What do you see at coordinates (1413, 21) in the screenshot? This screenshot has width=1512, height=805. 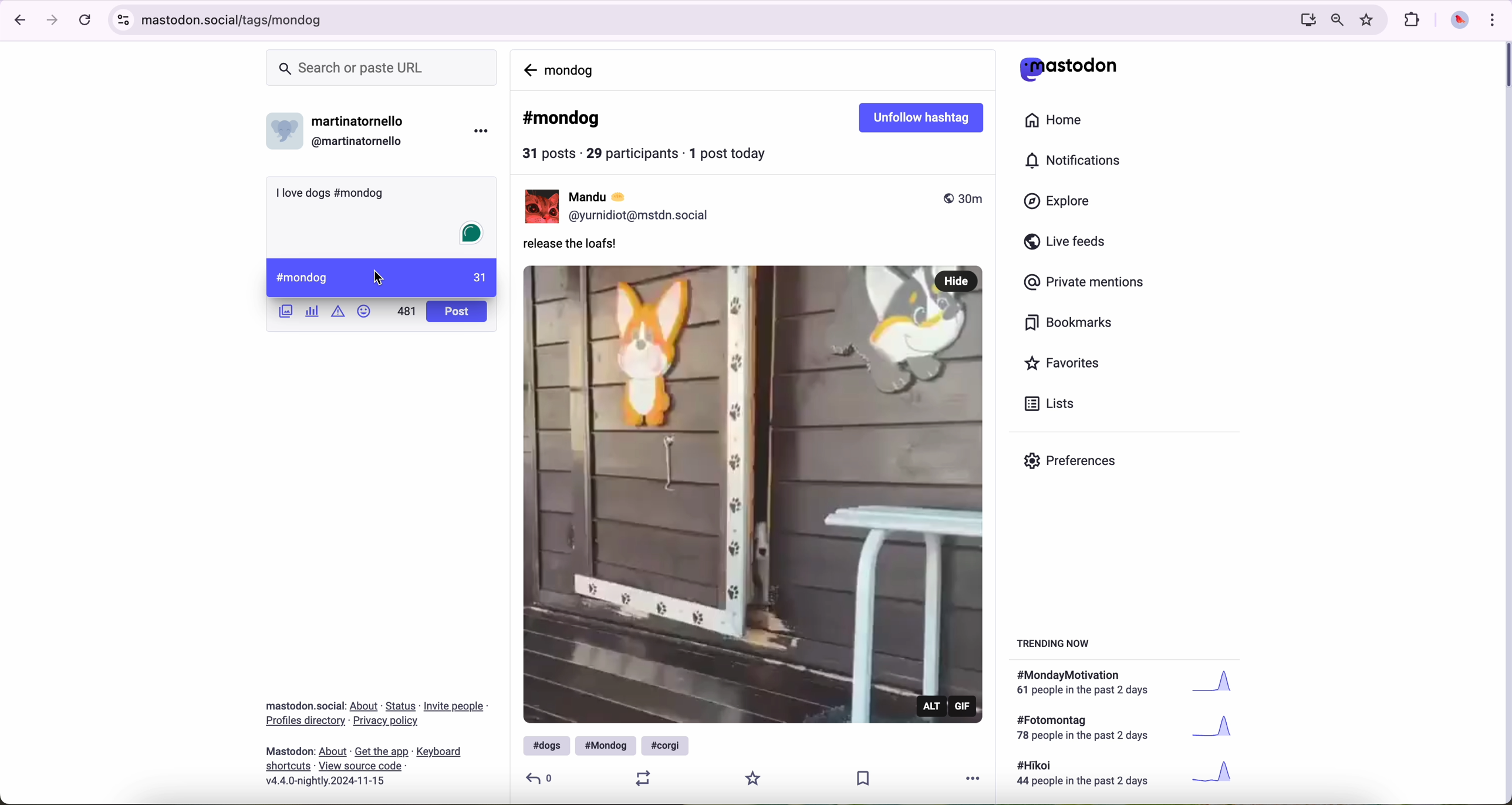 I see `extensions` at bounding box center [1413, 21].